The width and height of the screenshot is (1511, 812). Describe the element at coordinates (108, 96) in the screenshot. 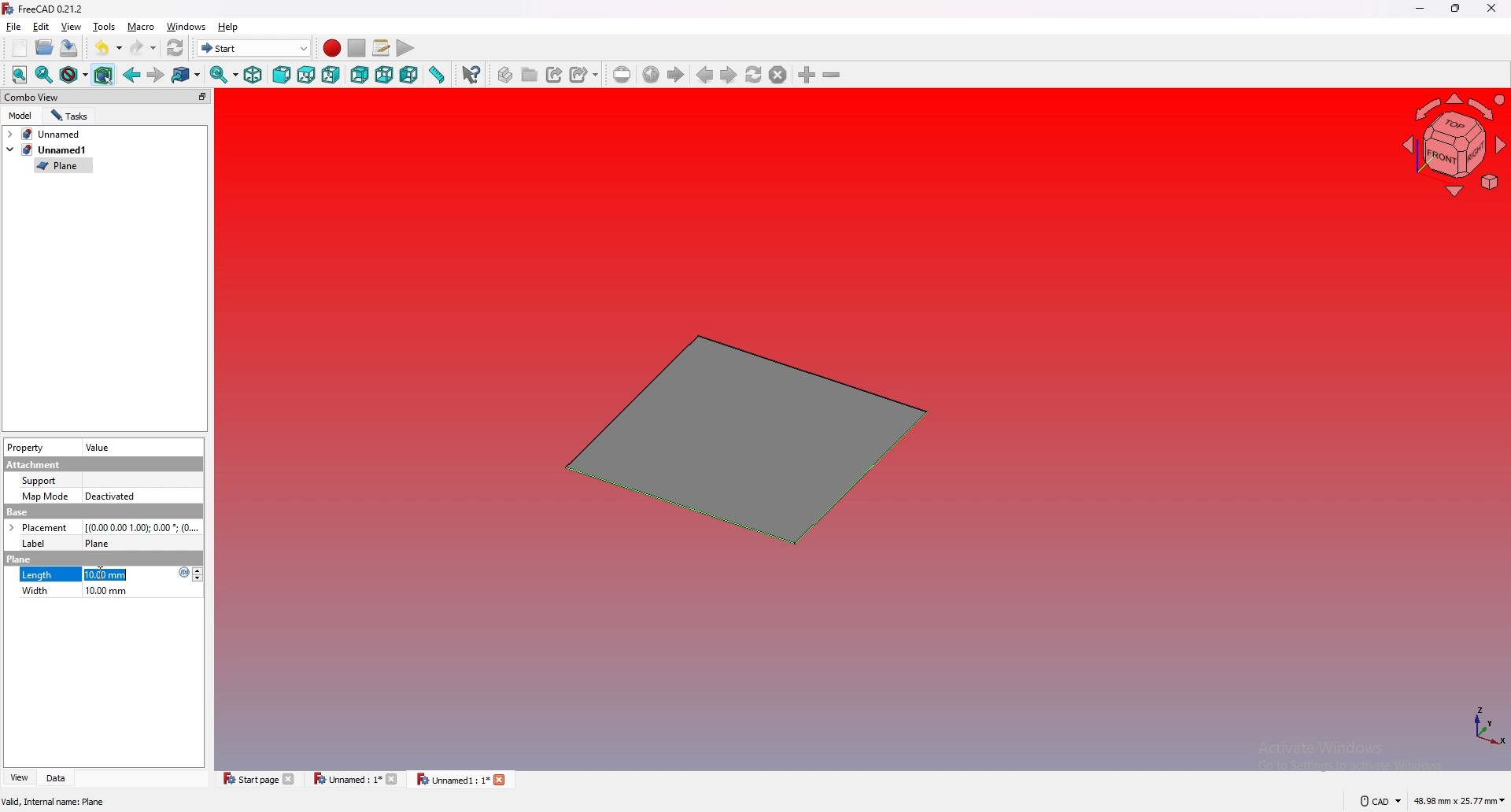

I see `combo view` at that location.